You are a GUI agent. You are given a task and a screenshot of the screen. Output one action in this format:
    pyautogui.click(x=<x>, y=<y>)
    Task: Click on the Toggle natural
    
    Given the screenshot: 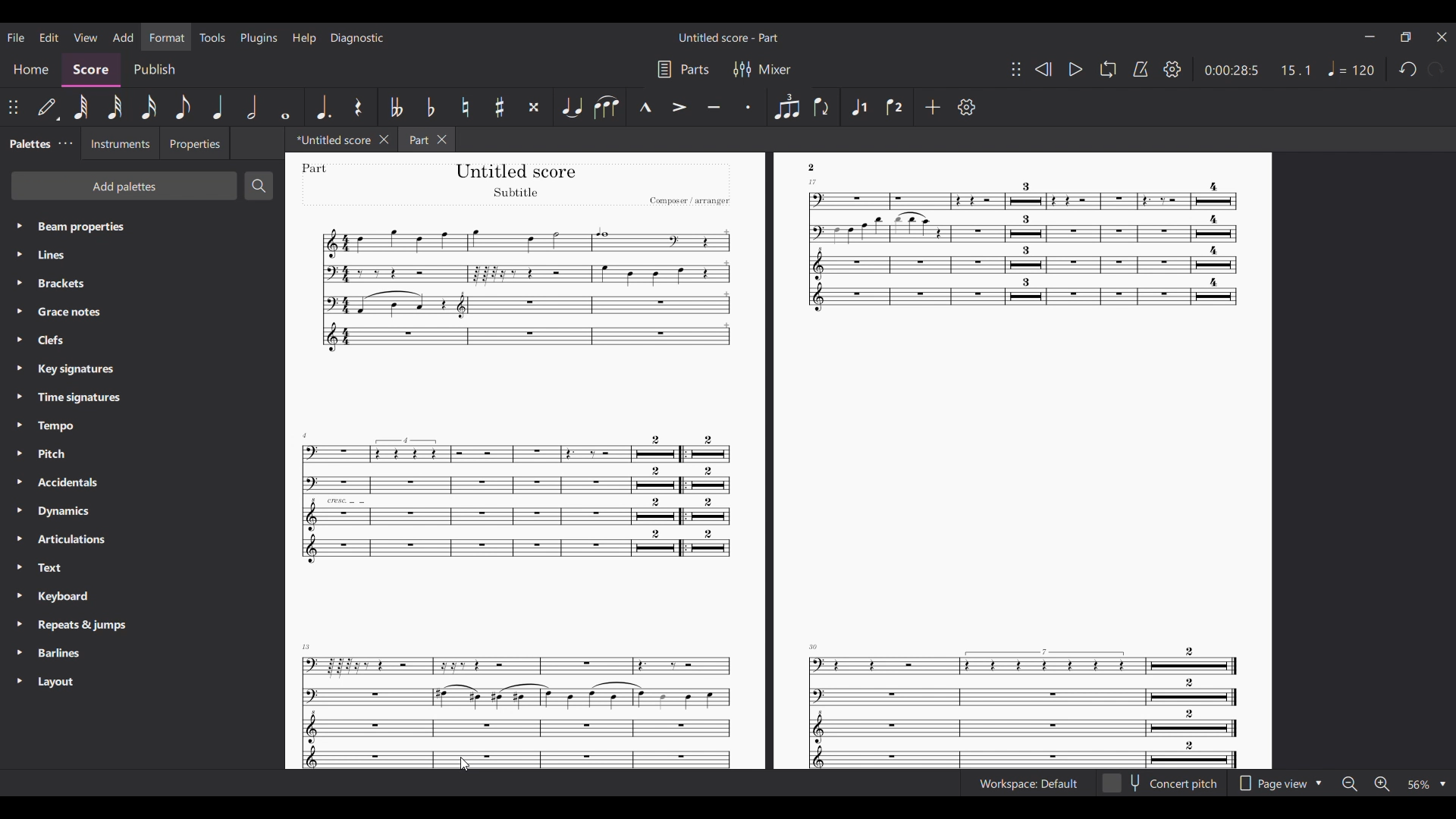 What is the action you would take?
    pyautogui.click(x=466, y=107)
    